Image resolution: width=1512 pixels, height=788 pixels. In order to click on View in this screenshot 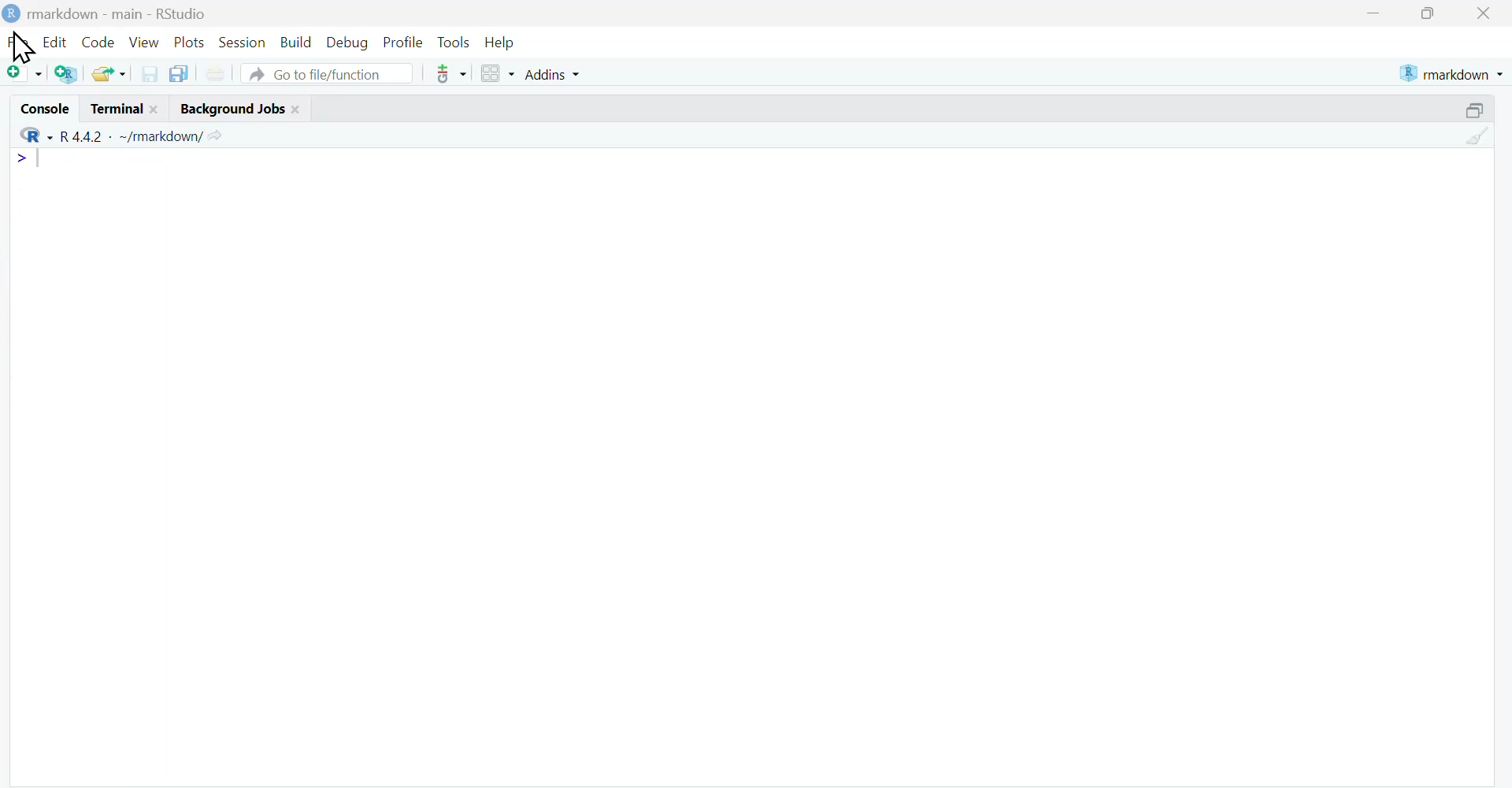, I will do `click(144, 42)`.